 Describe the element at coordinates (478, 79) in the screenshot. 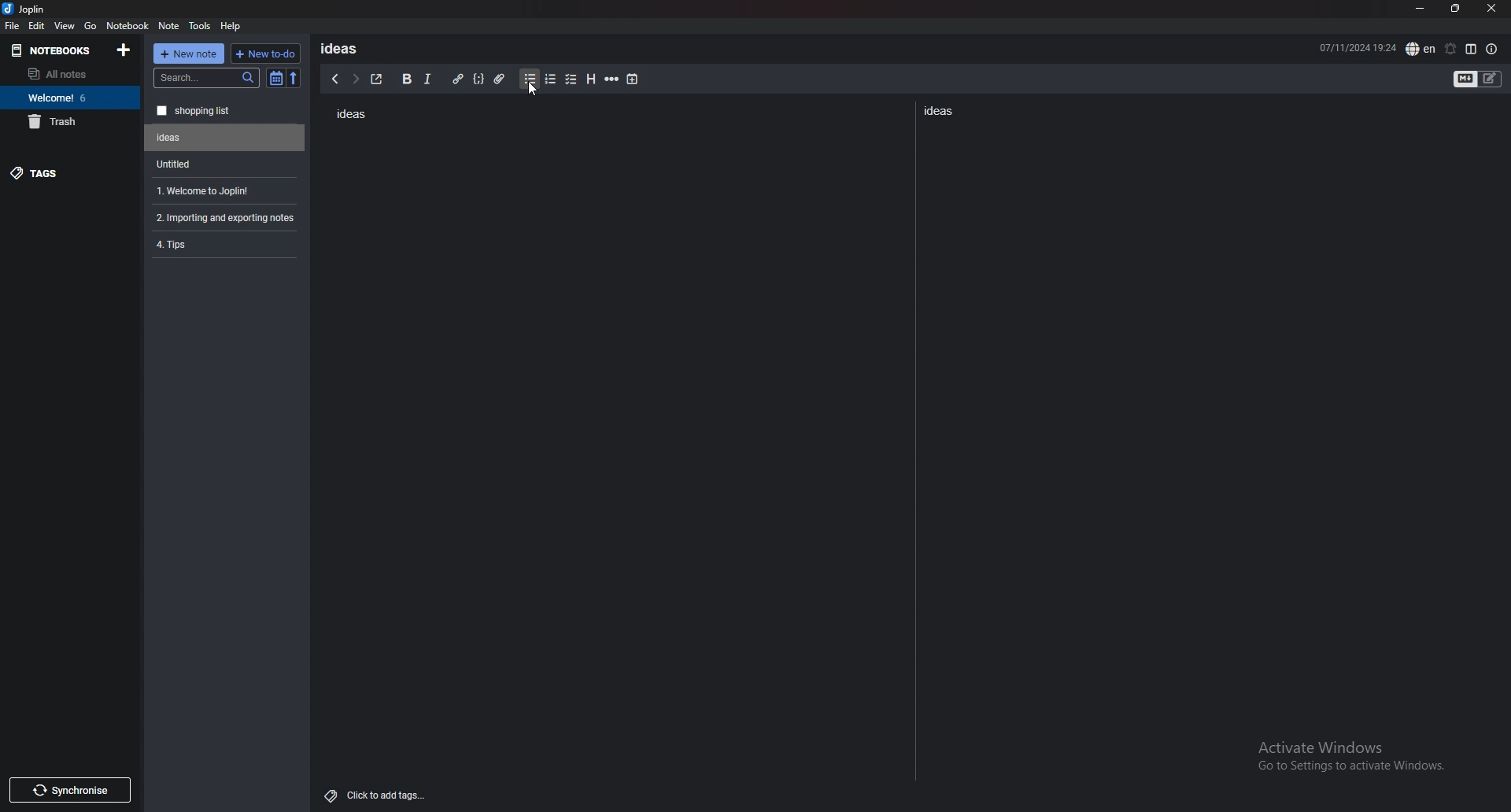

I see `code` at that location.